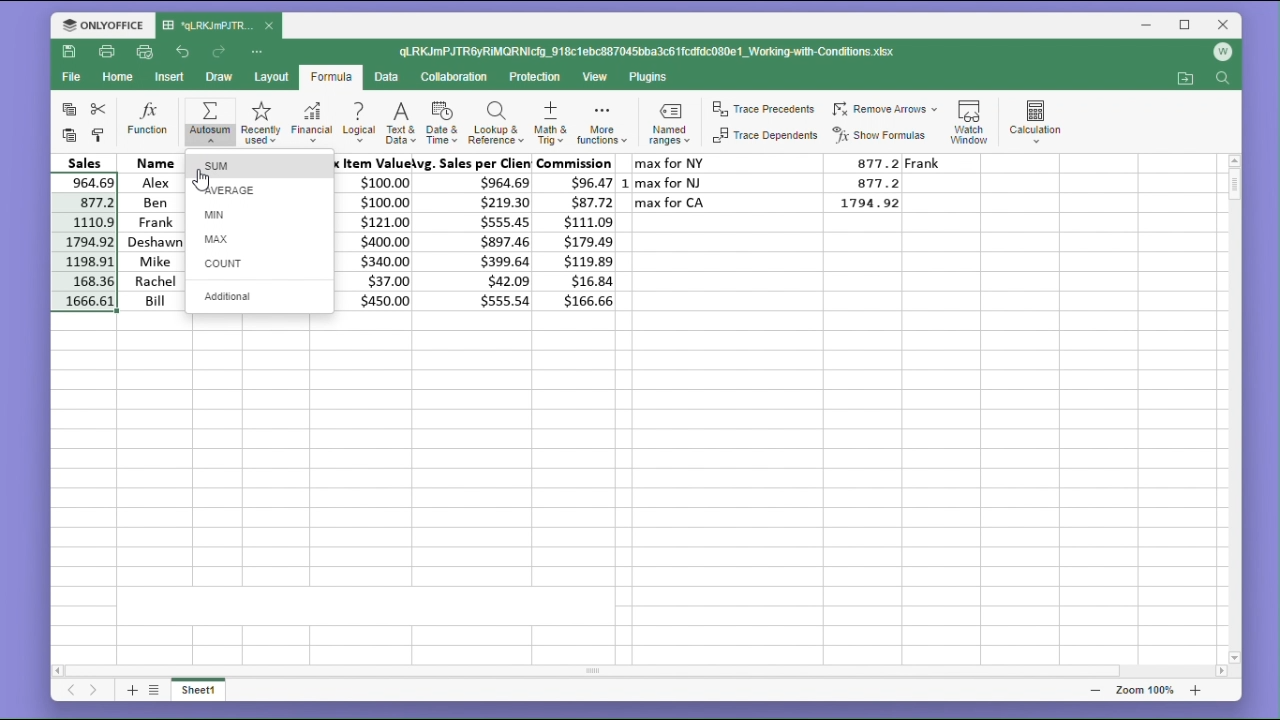  I want to click on logical, so click(358, 124).